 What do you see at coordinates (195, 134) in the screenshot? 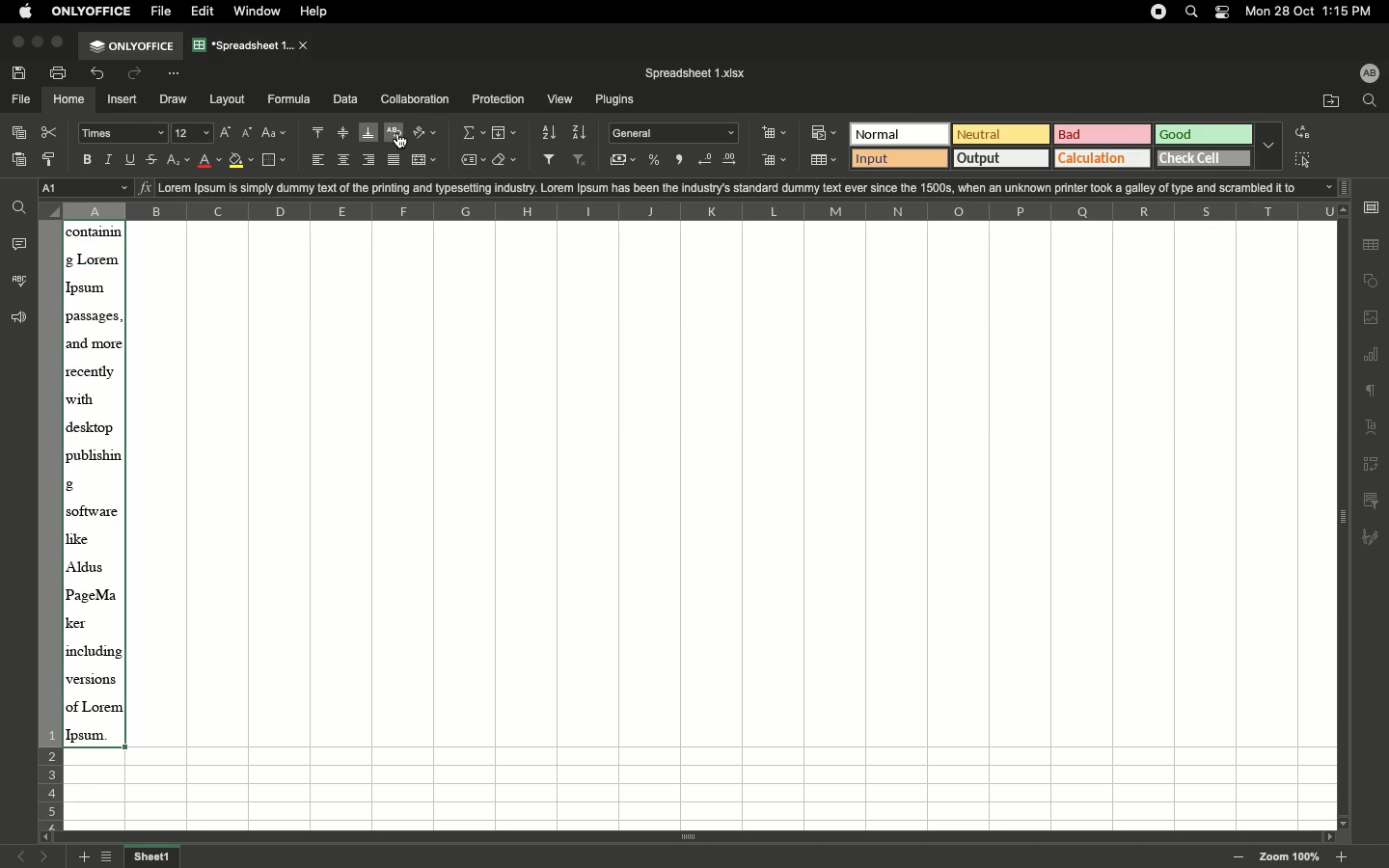
I see `Font size` at bounding box center [195, 134].